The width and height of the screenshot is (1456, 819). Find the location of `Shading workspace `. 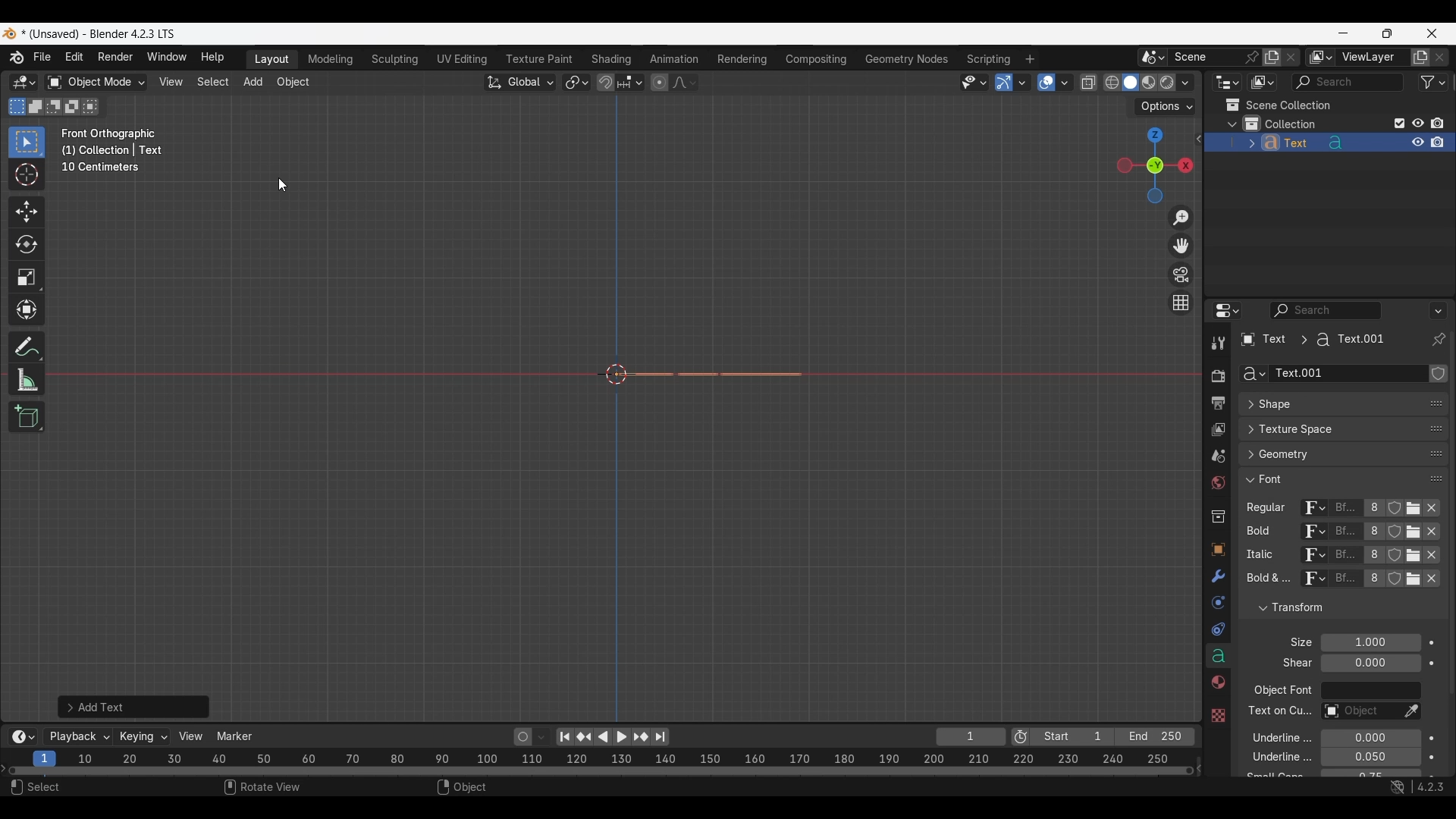

Shading workspace  is located at coordinates (613, 59).